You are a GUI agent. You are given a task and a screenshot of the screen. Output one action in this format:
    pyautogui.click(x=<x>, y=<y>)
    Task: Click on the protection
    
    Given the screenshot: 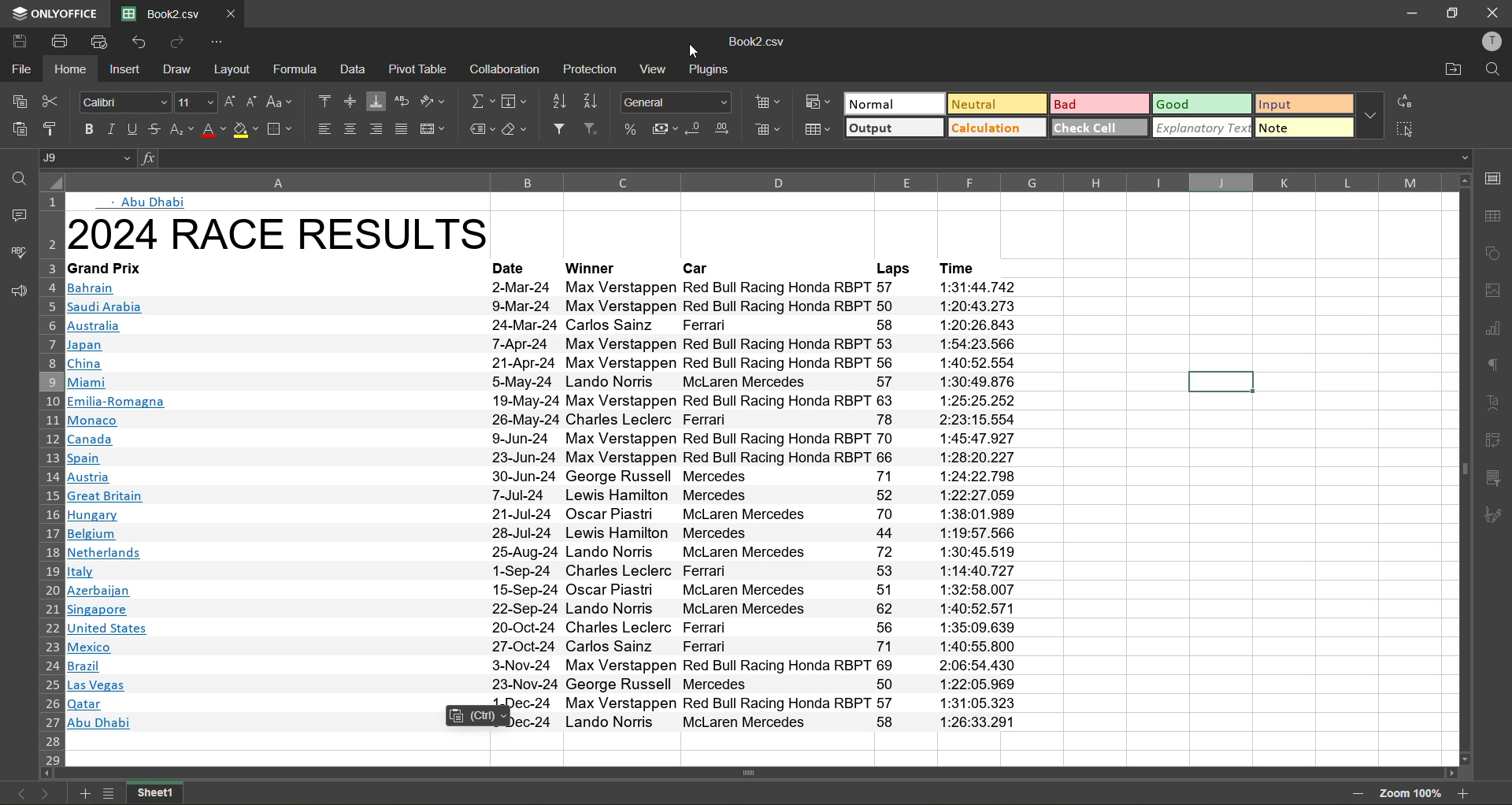 What is the action you would take?
    pyautogui.click(x=592, y=70)
    